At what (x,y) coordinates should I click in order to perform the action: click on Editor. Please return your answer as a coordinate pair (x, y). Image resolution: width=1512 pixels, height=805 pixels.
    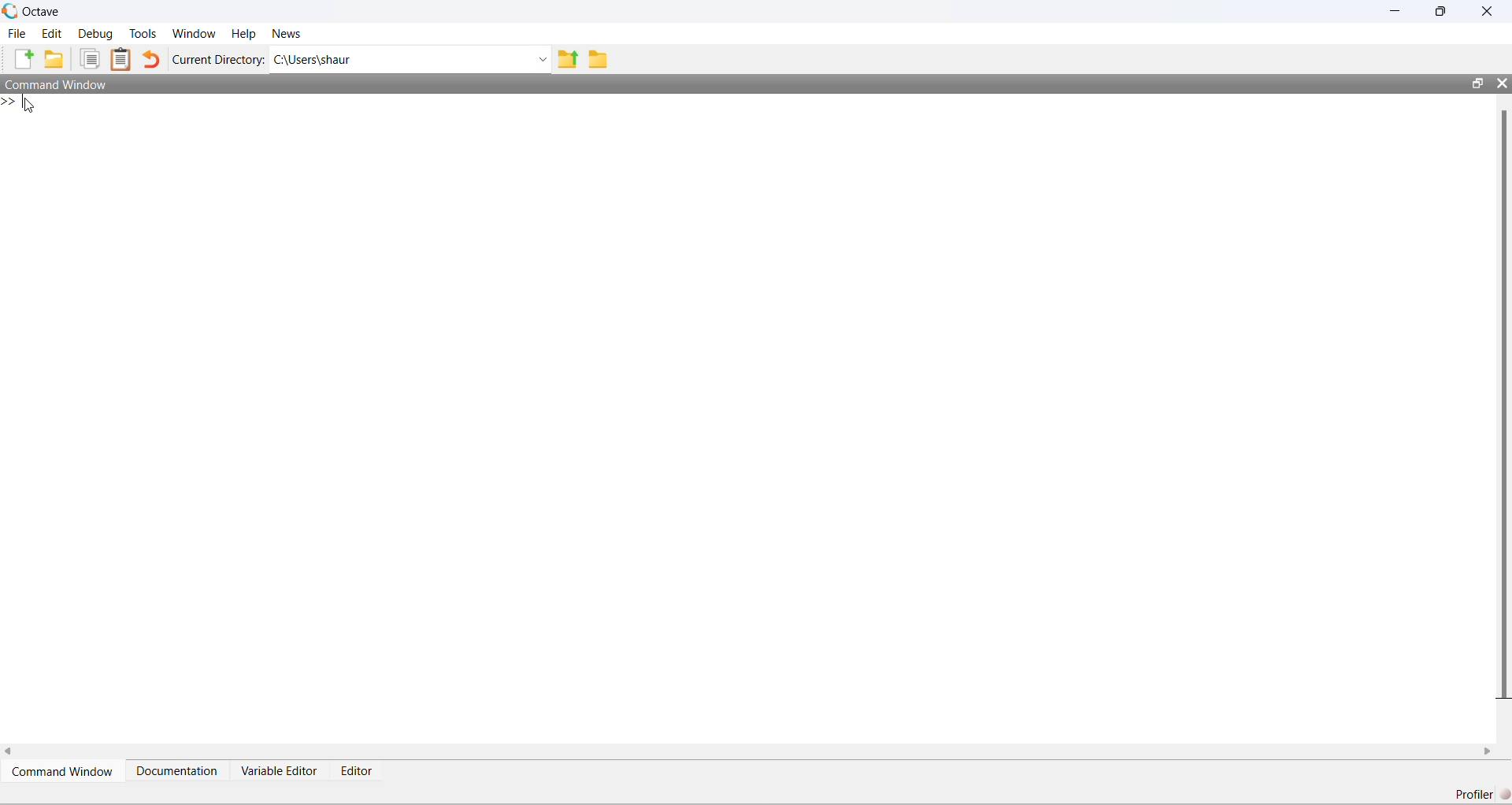
    Looking at the image, I should click on (358, 770).